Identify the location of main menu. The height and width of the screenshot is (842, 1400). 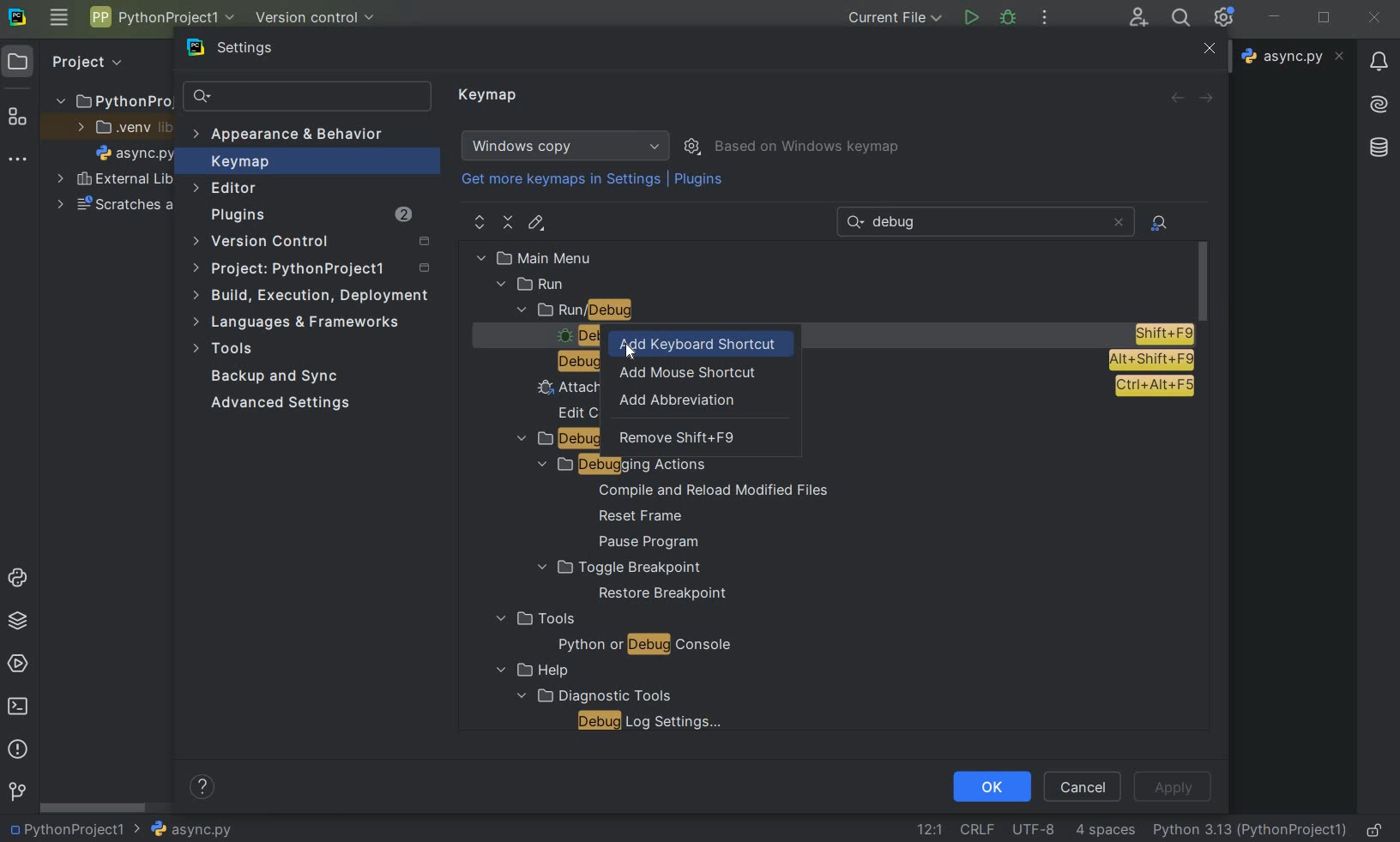
(58, 17).